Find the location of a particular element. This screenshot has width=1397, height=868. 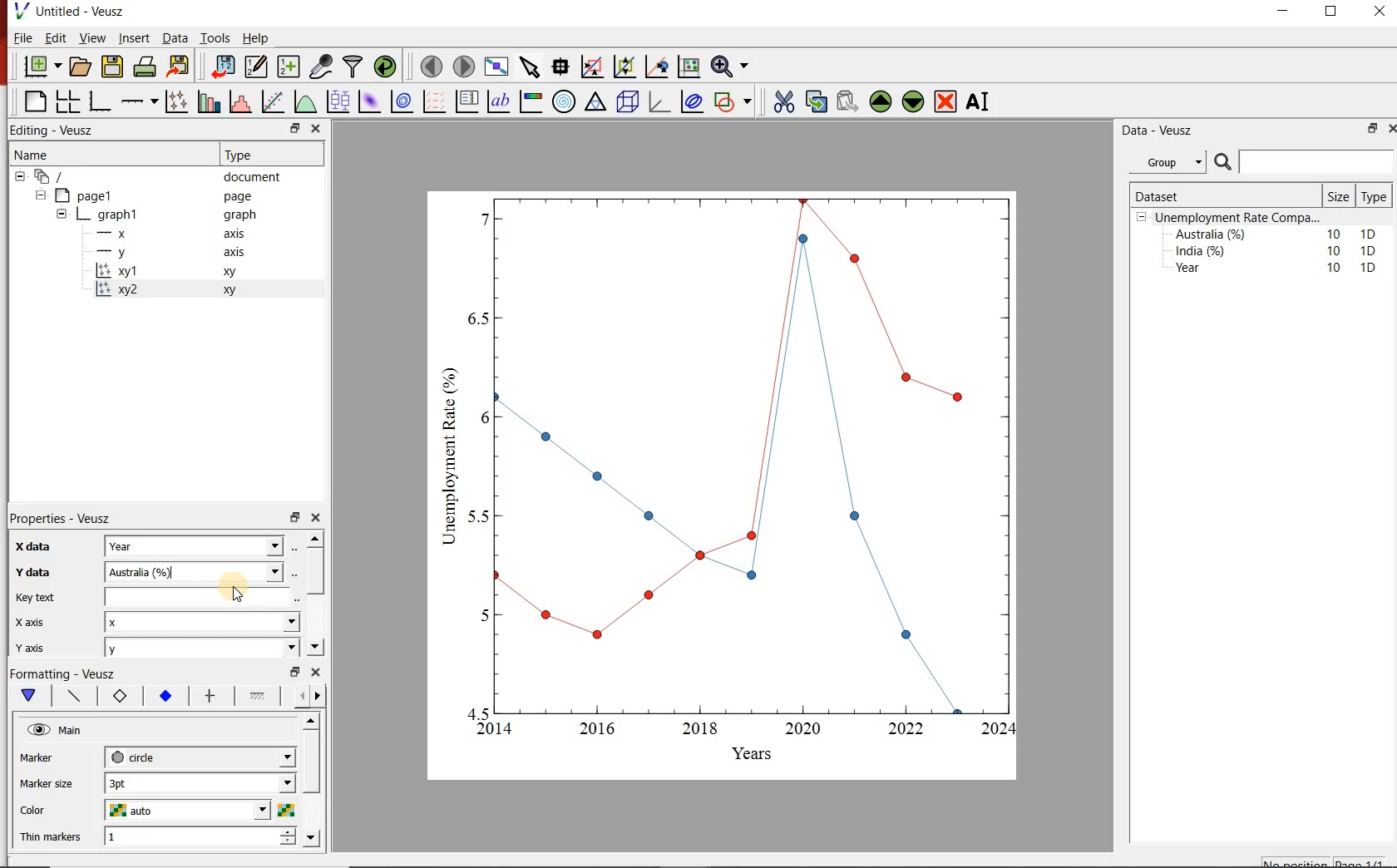

decrease is located at coordinates (288, 845).